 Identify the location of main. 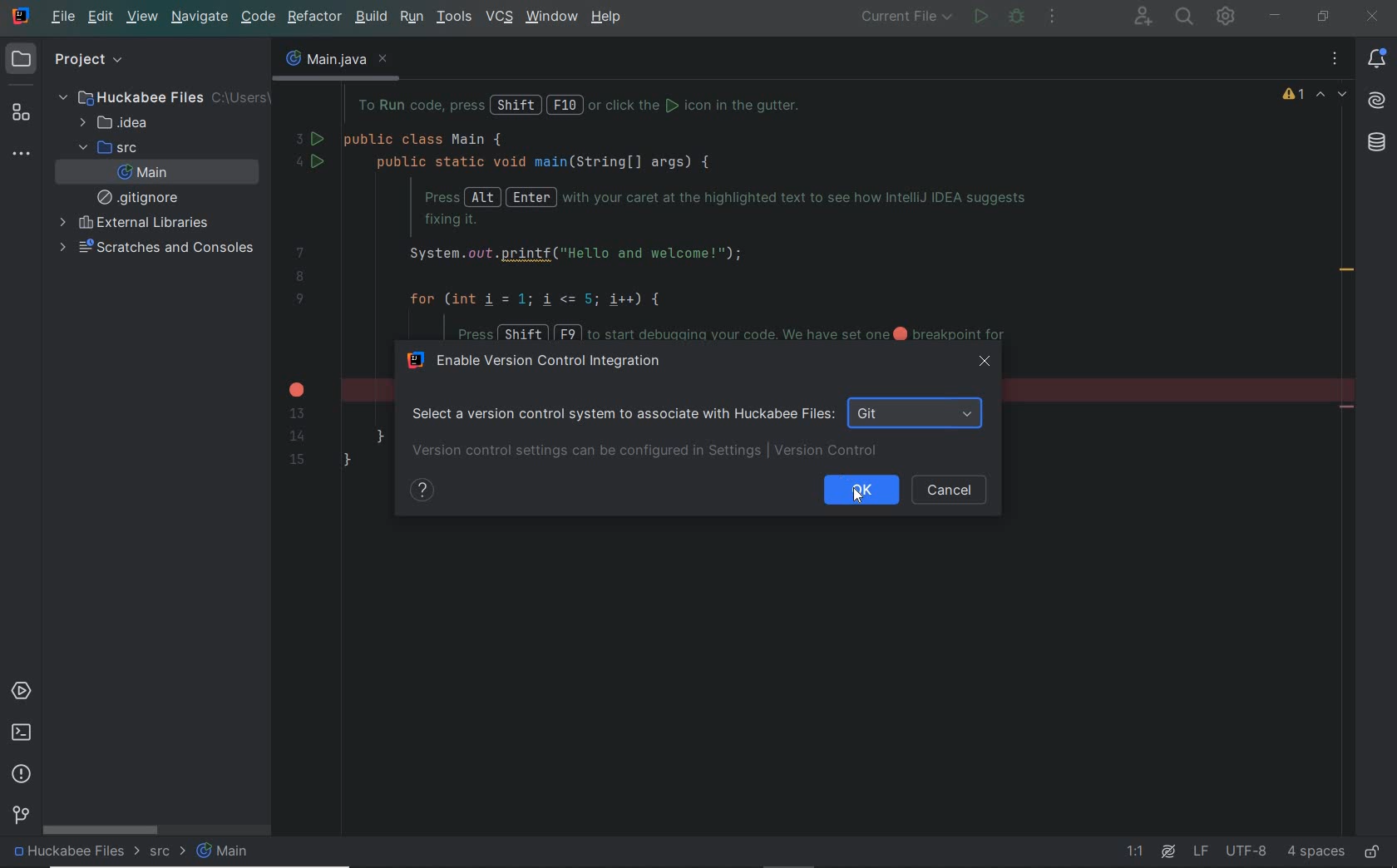
(229, 852).